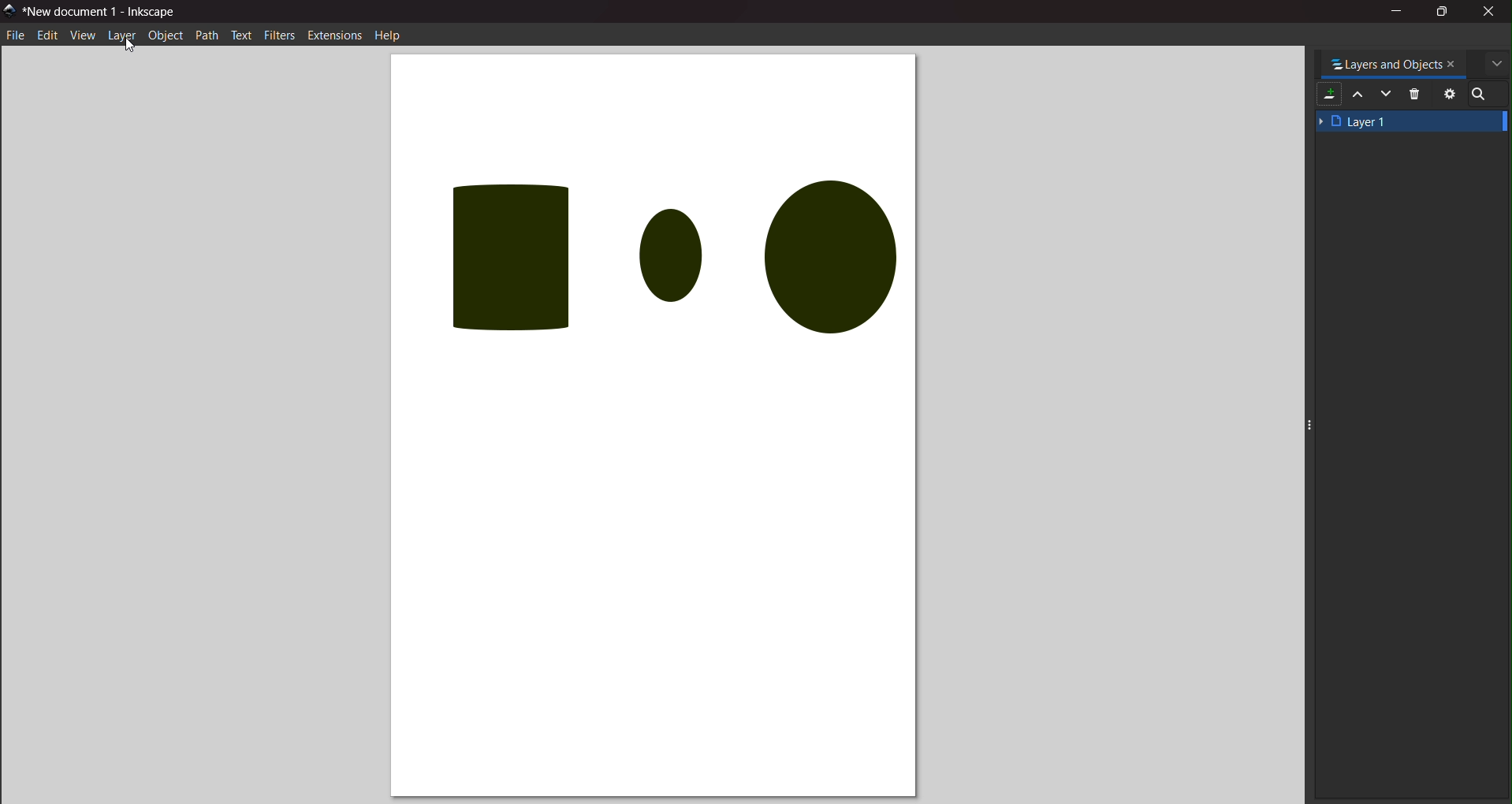 The width and height of the screenshot is (1512, 804). I want to click on objects, so click(651, 251).